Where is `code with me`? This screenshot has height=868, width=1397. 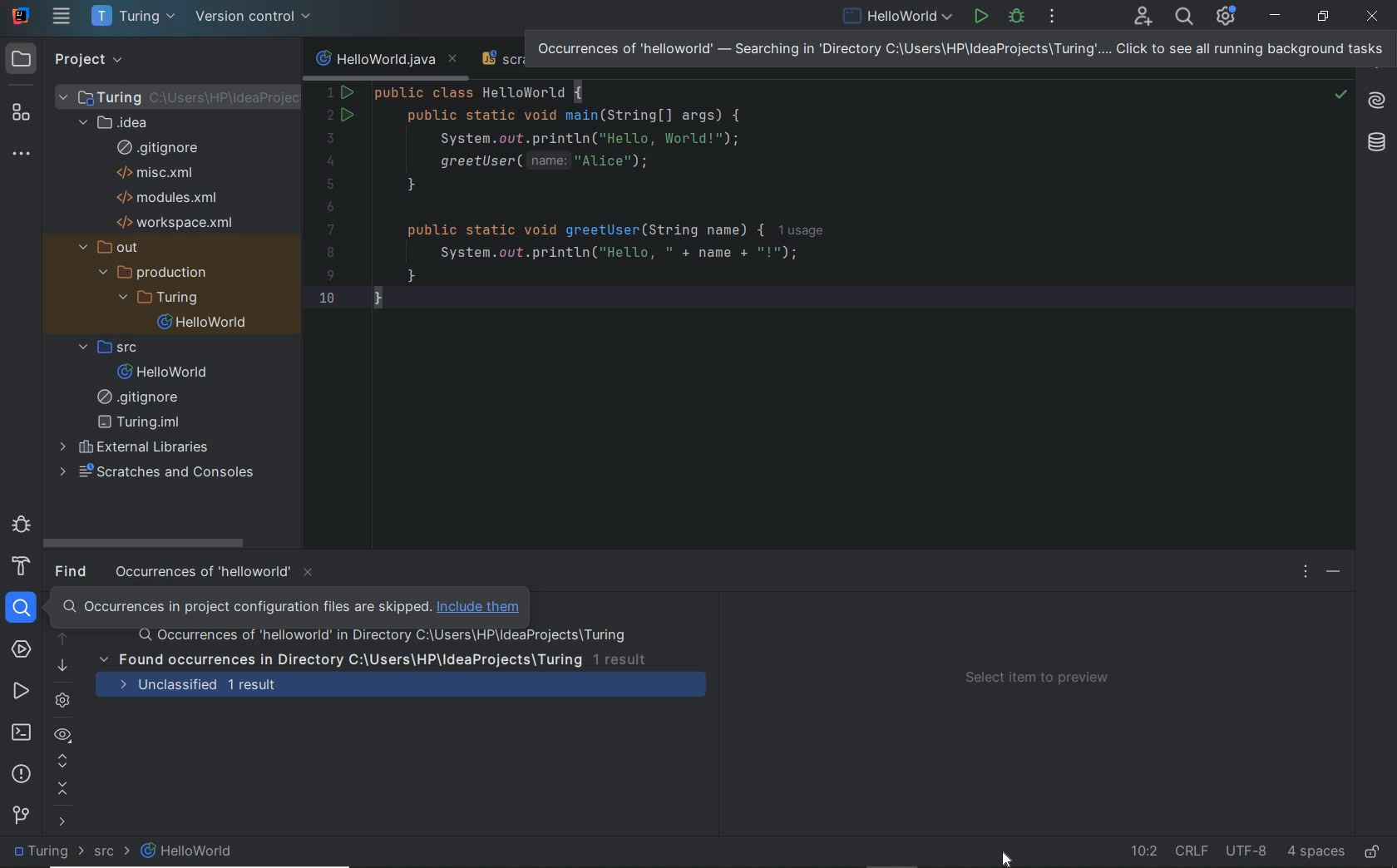
code with me is located at coordinates (1143, 22).